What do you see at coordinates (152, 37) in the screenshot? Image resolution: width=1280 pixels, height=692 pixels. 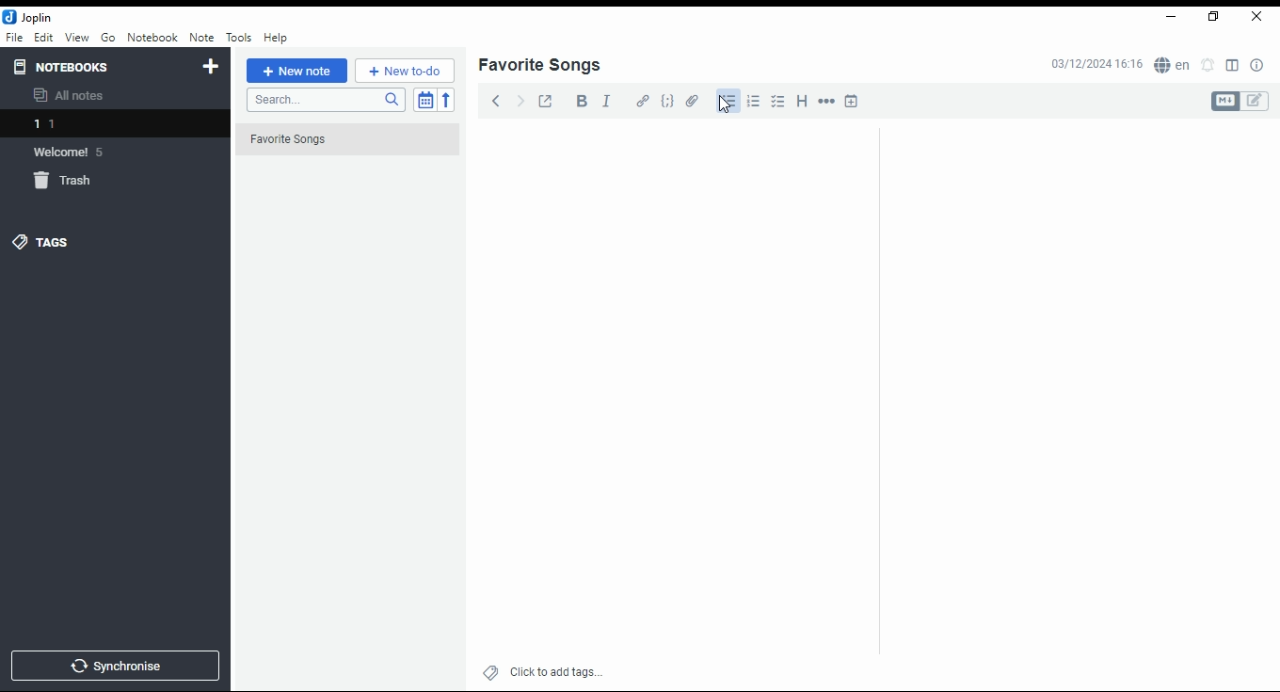 I see `notebook` at bounding box center [152, 37].